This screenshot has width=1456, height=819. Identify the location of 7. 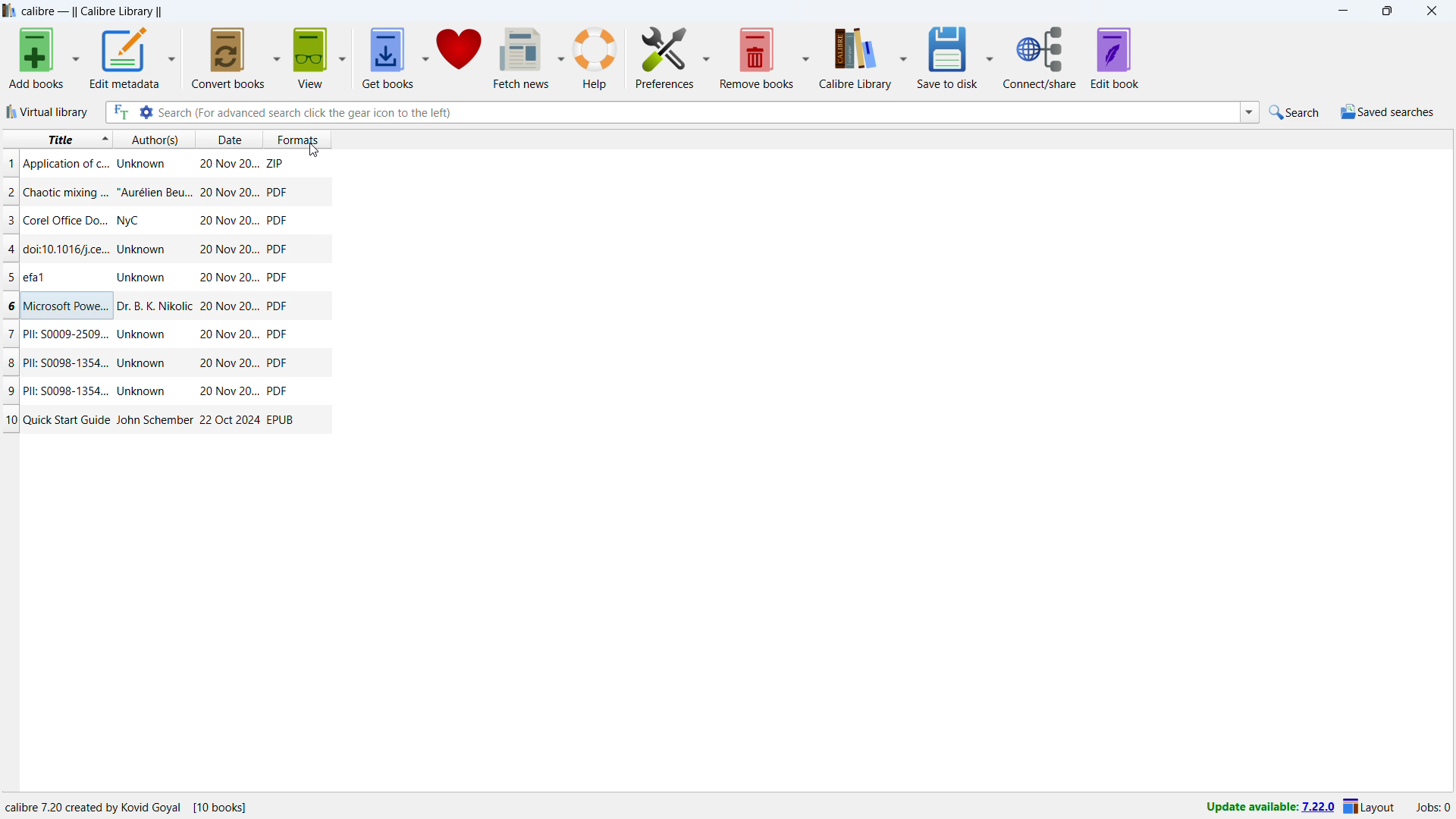
(9, 334).